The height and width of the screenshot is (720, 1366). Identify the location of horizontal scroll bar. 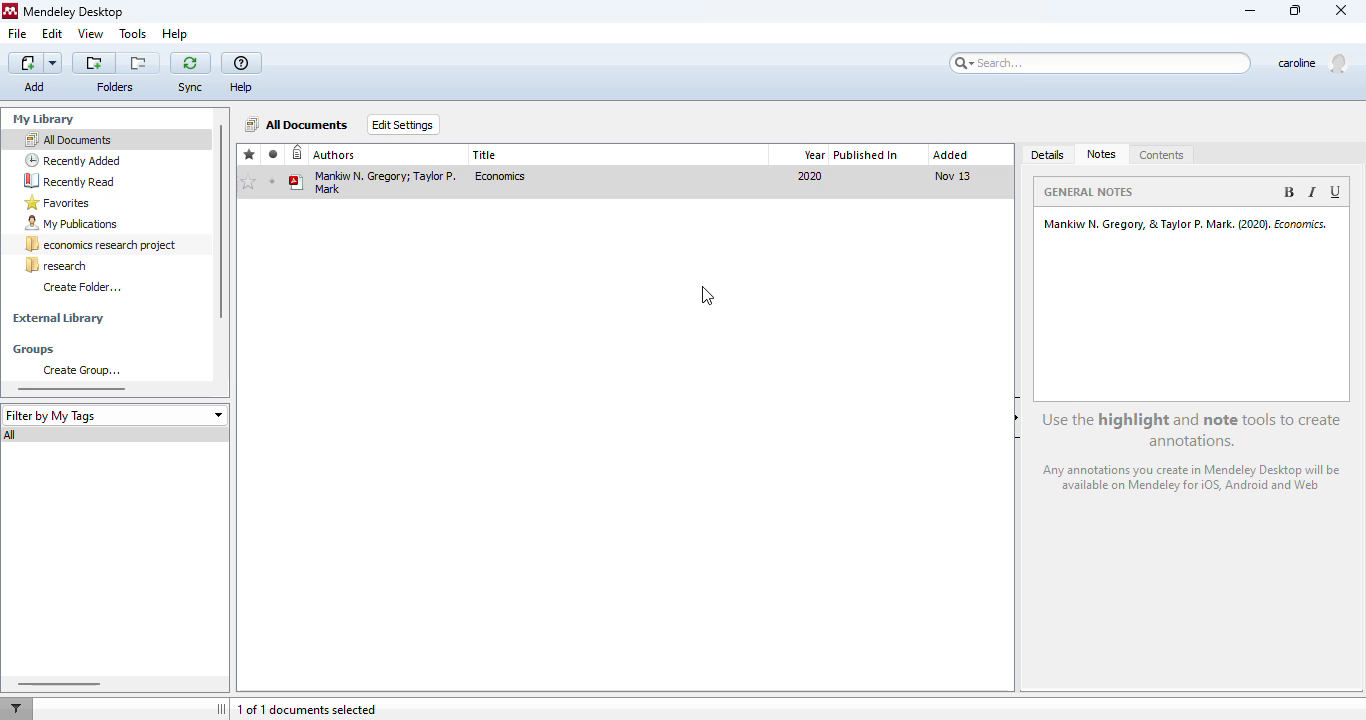
(57, 683).